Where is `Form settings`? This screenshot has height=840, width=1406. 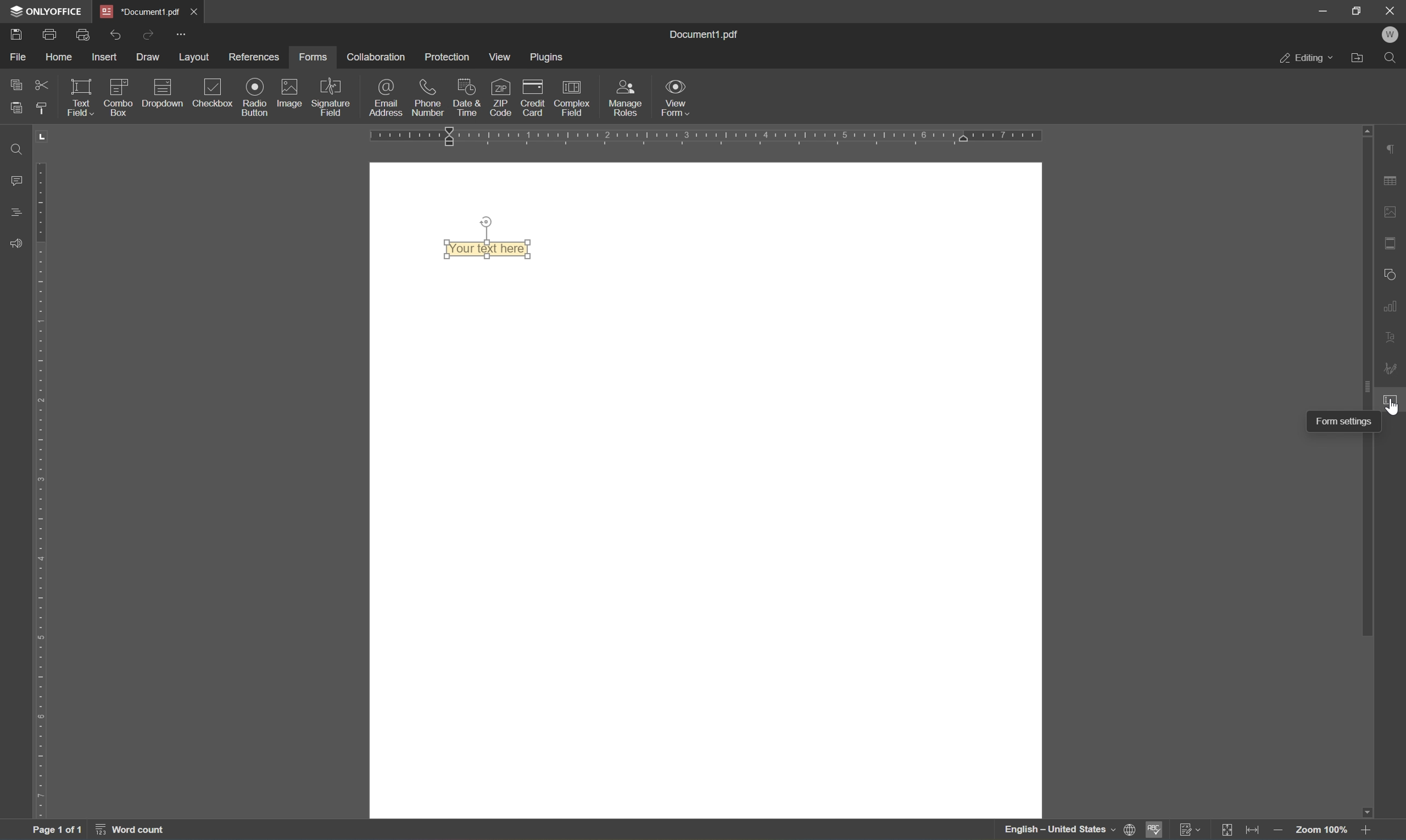 Form settings is located at coordinates (1344, 421).